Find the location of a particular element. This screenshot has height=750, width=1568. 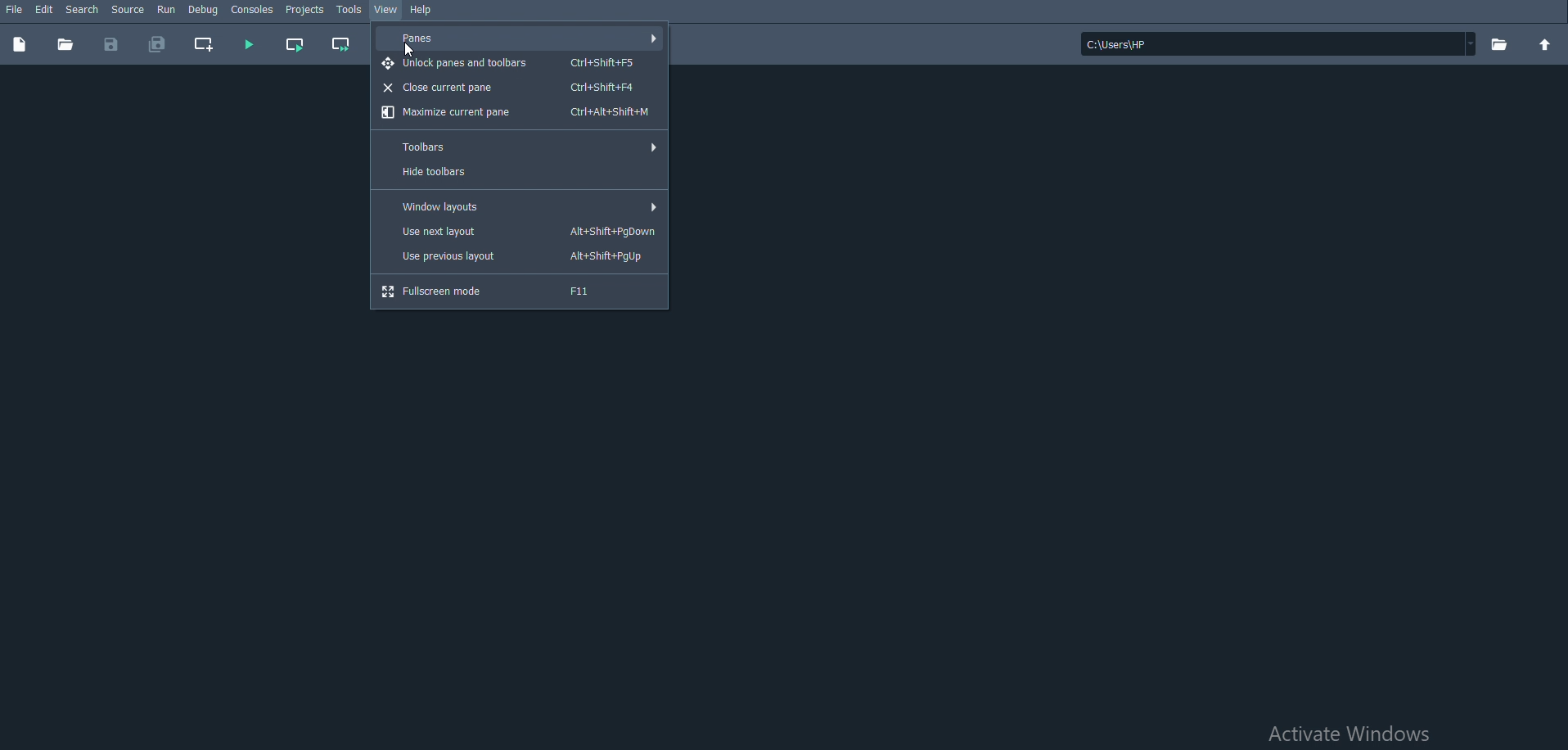

Browse a working directory is located at coordinates (1500, 44).